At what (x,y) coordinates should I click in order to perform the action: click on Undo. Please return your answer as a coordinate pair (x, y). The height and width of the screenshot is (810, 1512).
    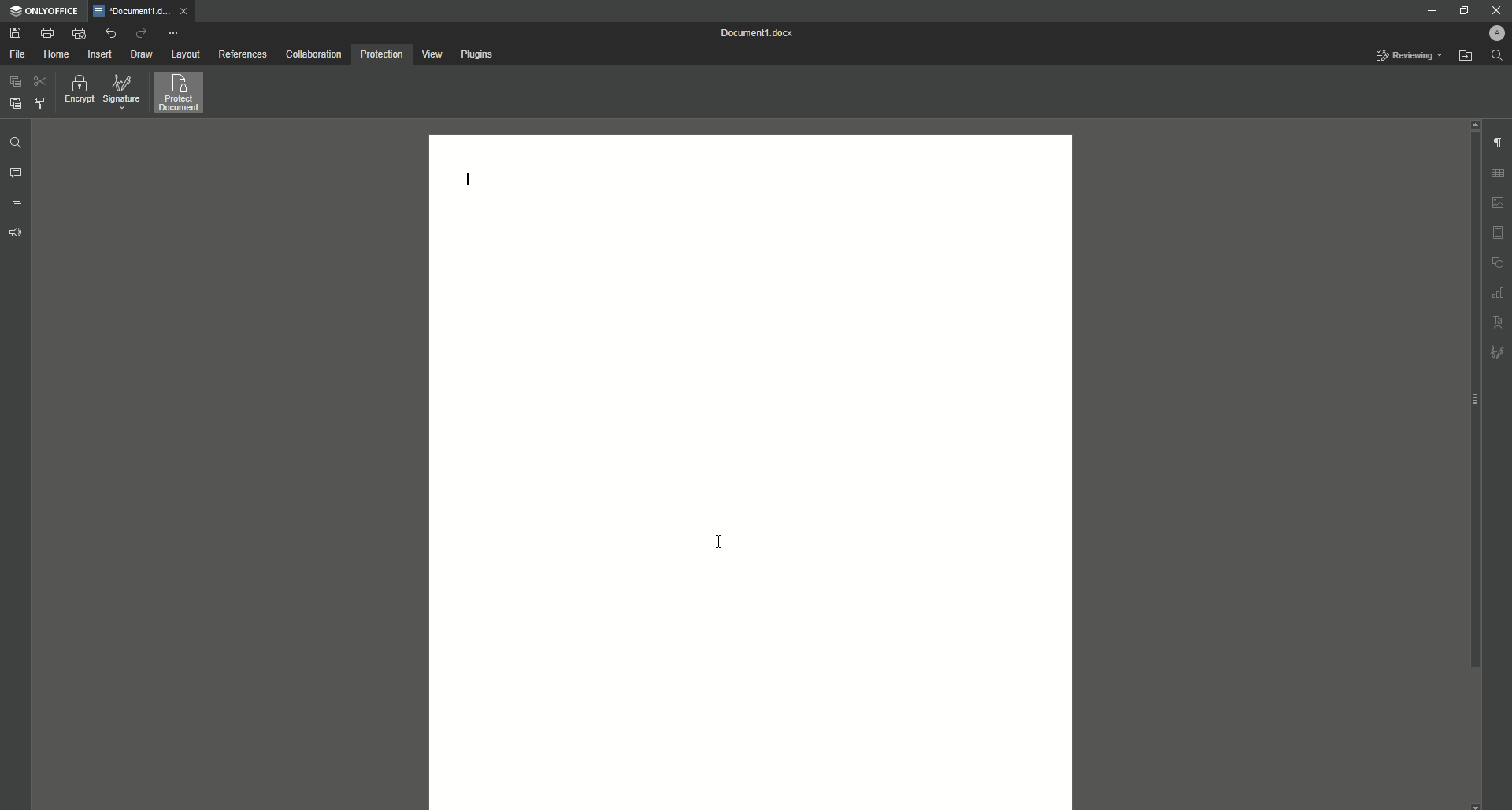
    Looking at the image, I should click on (110, 33).